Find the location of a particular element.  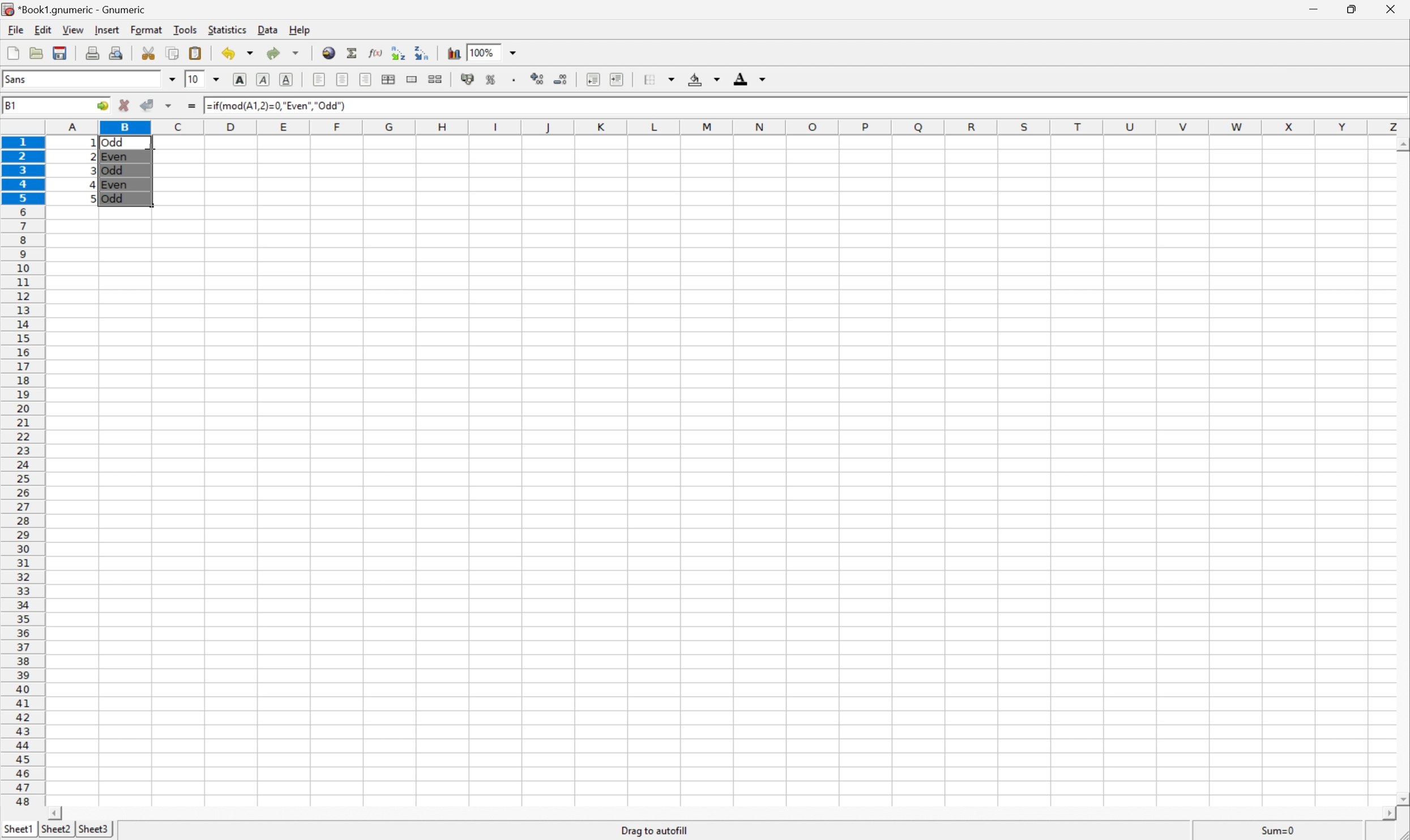

Underline is located at coordinates (287, 79).